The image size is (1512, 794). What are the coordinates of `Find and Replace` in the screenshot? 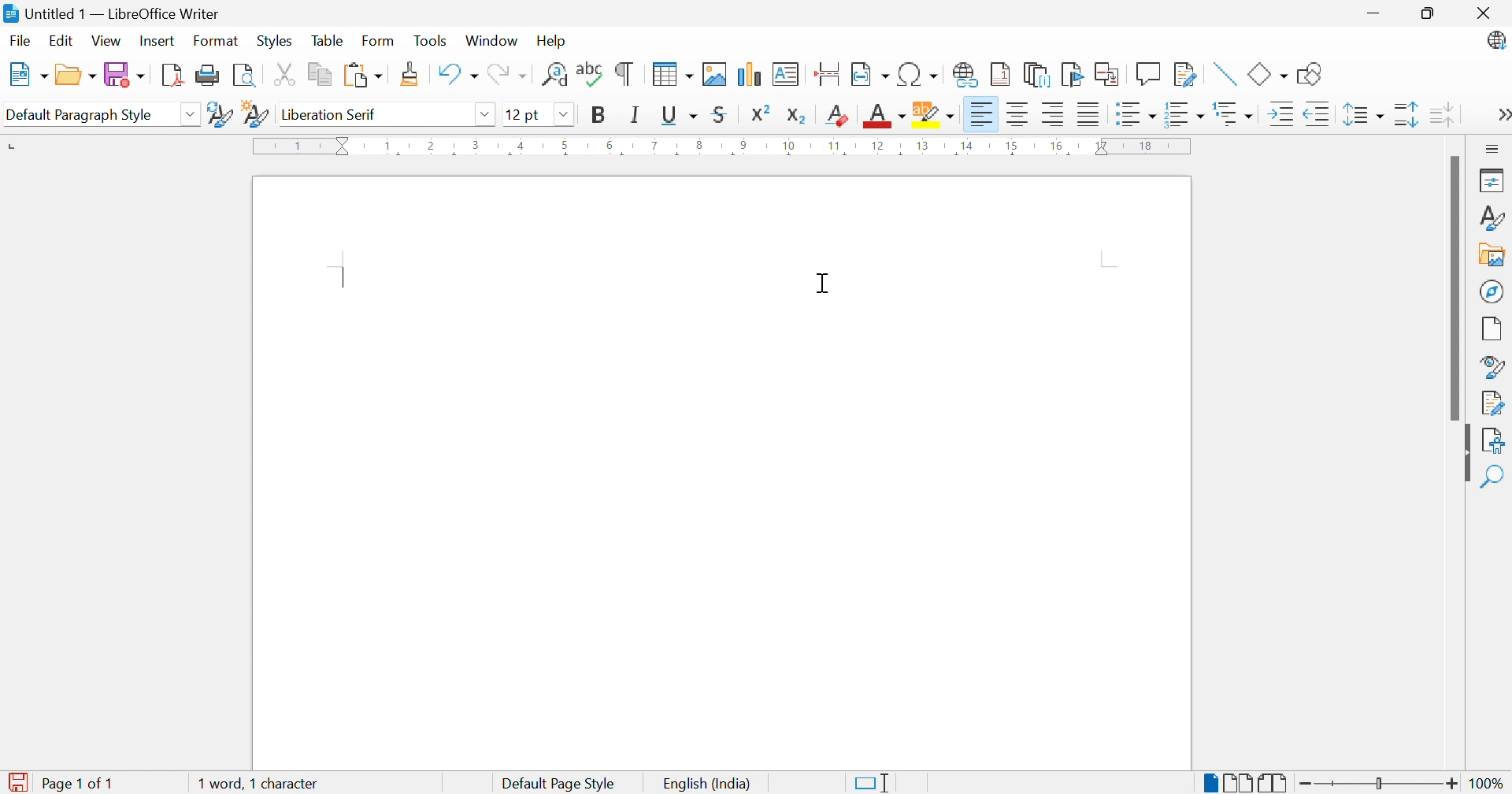 It's located at (554, 74).